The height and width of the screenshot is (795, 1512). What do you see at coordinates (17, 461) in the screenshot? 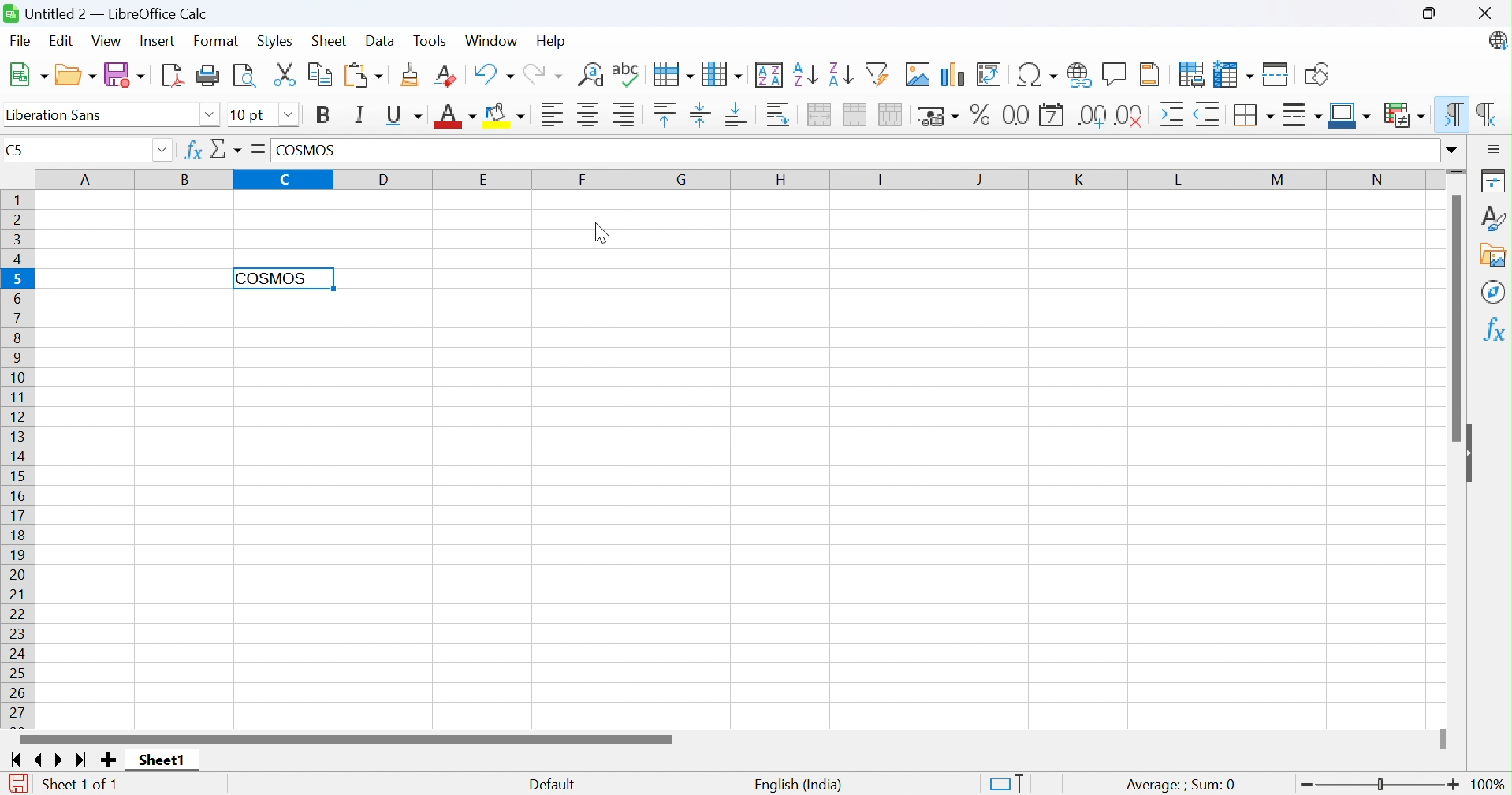
I see `Row names` at bounding box center [17, 461].